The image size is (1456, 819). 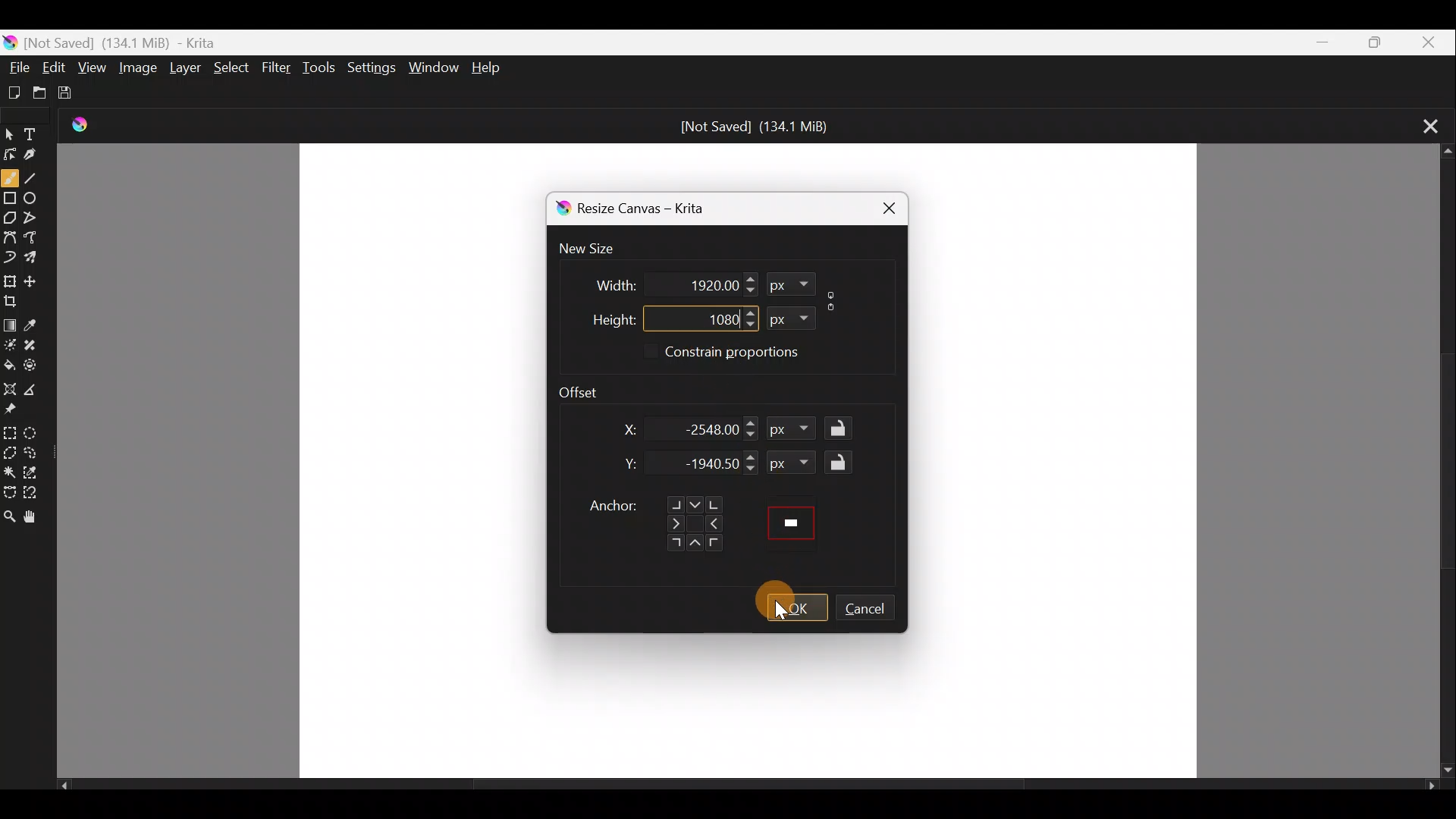 I want to click on Transform a layer/selection, so click(x=10, y=281).